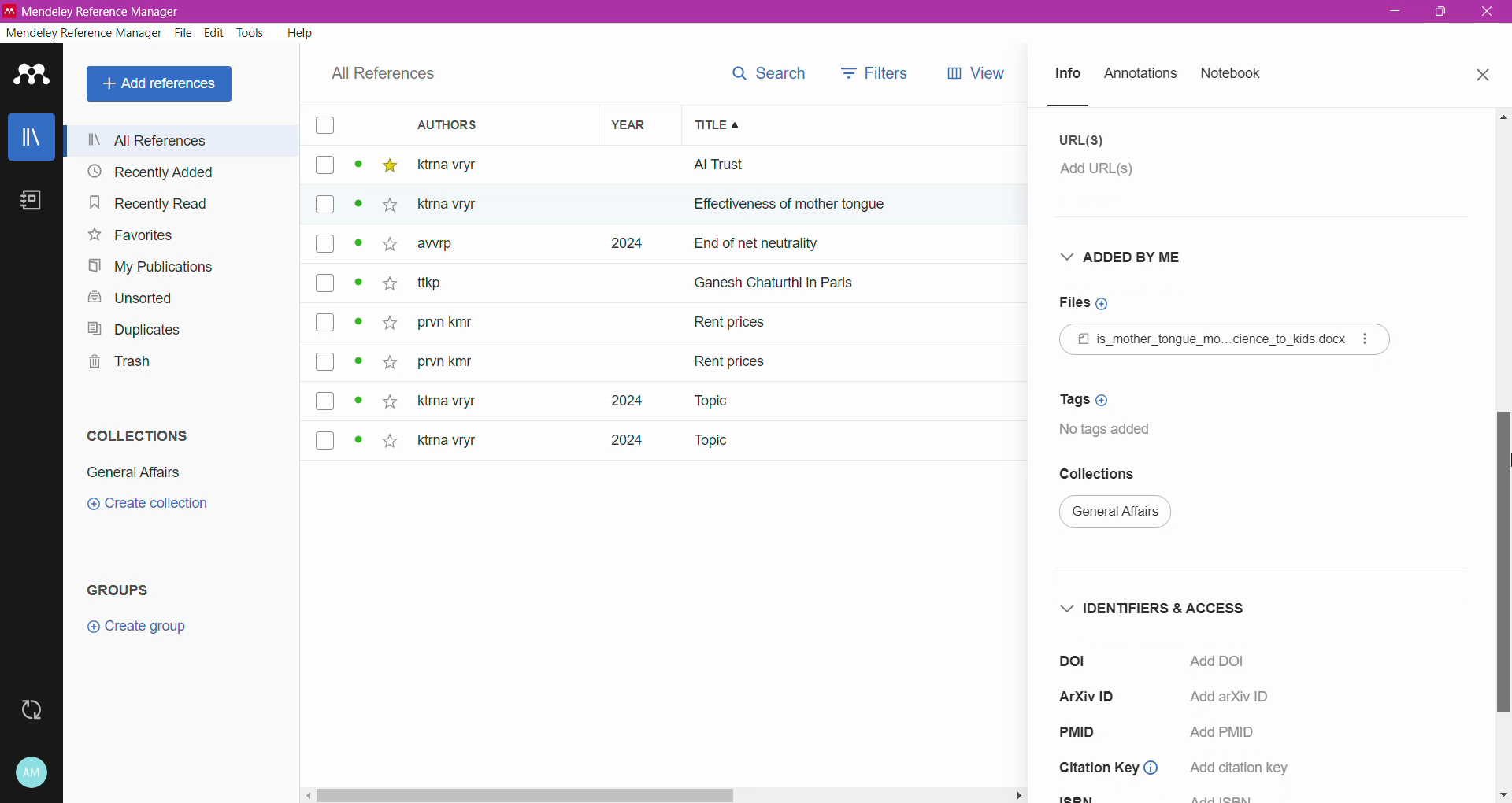 The width and height of the screenshot is (1512, 803). What do you see at coordinates (154, 267) in the screenshot?
I see `My Publications` at bounding box center [154, 267].